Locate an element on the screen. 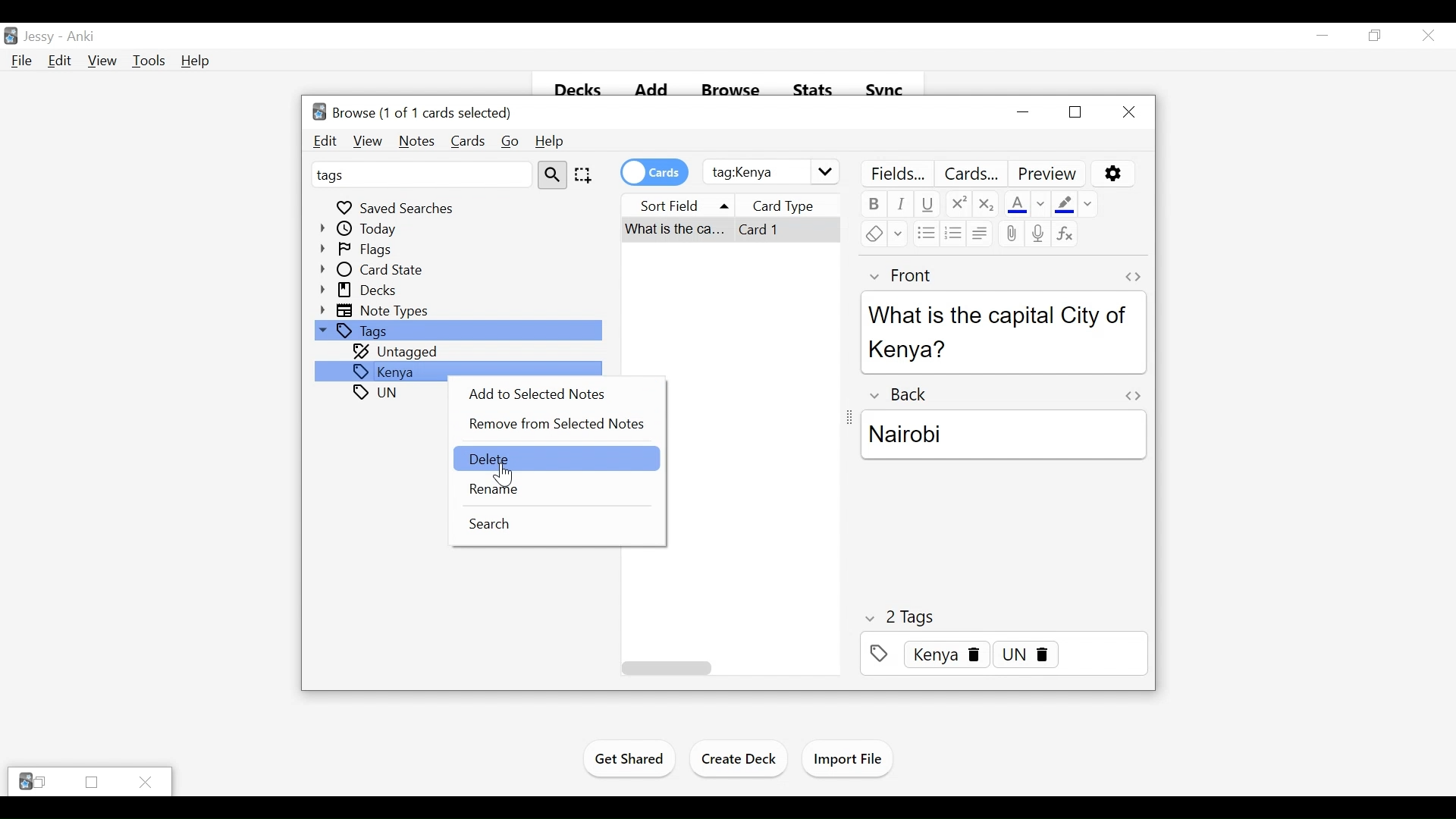 This screenshot has width=1456, height=819. Close is located at coordinates (146, 781).